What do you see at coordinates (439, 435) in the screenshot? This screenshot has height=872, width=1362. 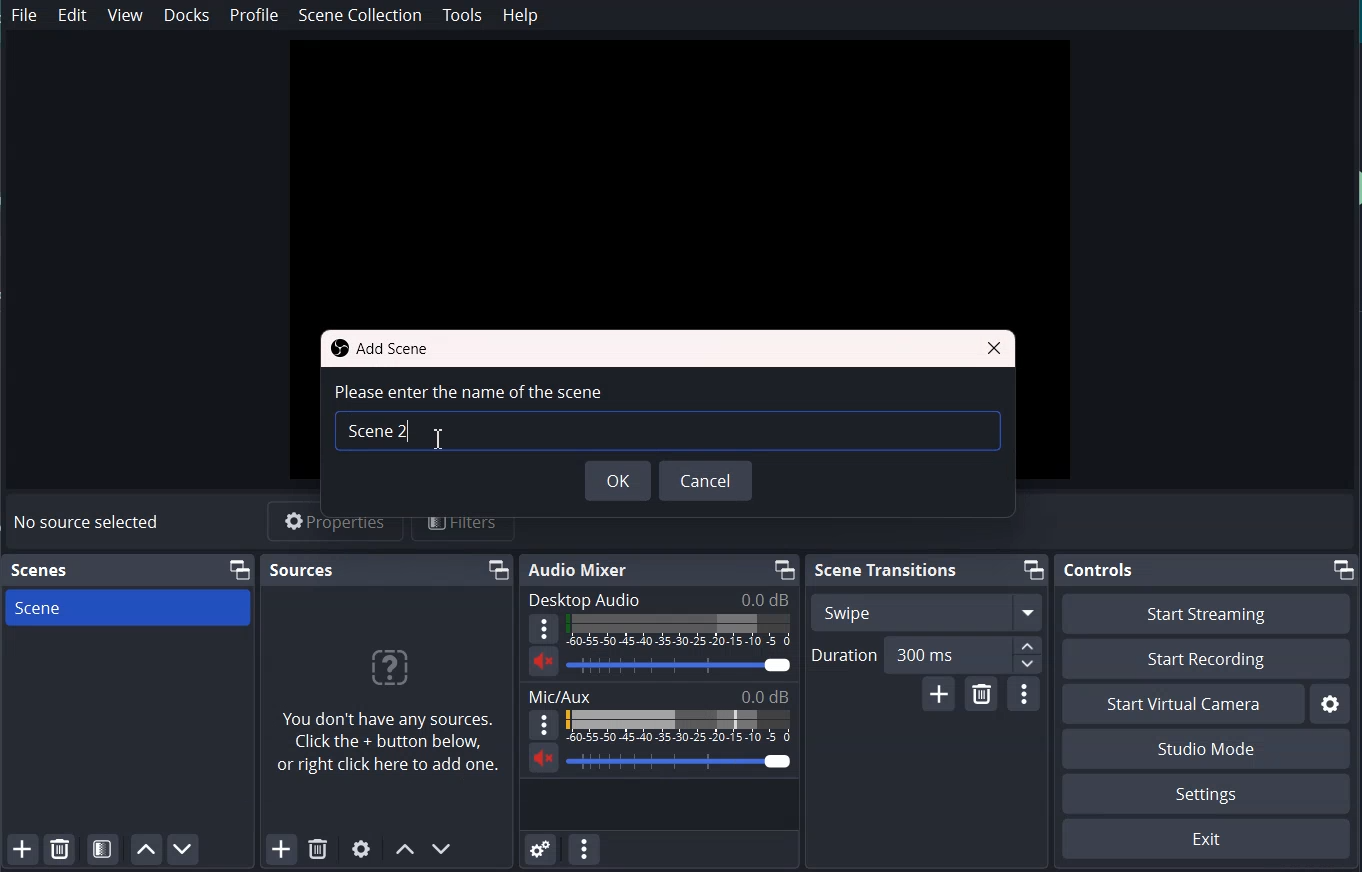 I see `Text Cursor` at bounding box center [439, 435].